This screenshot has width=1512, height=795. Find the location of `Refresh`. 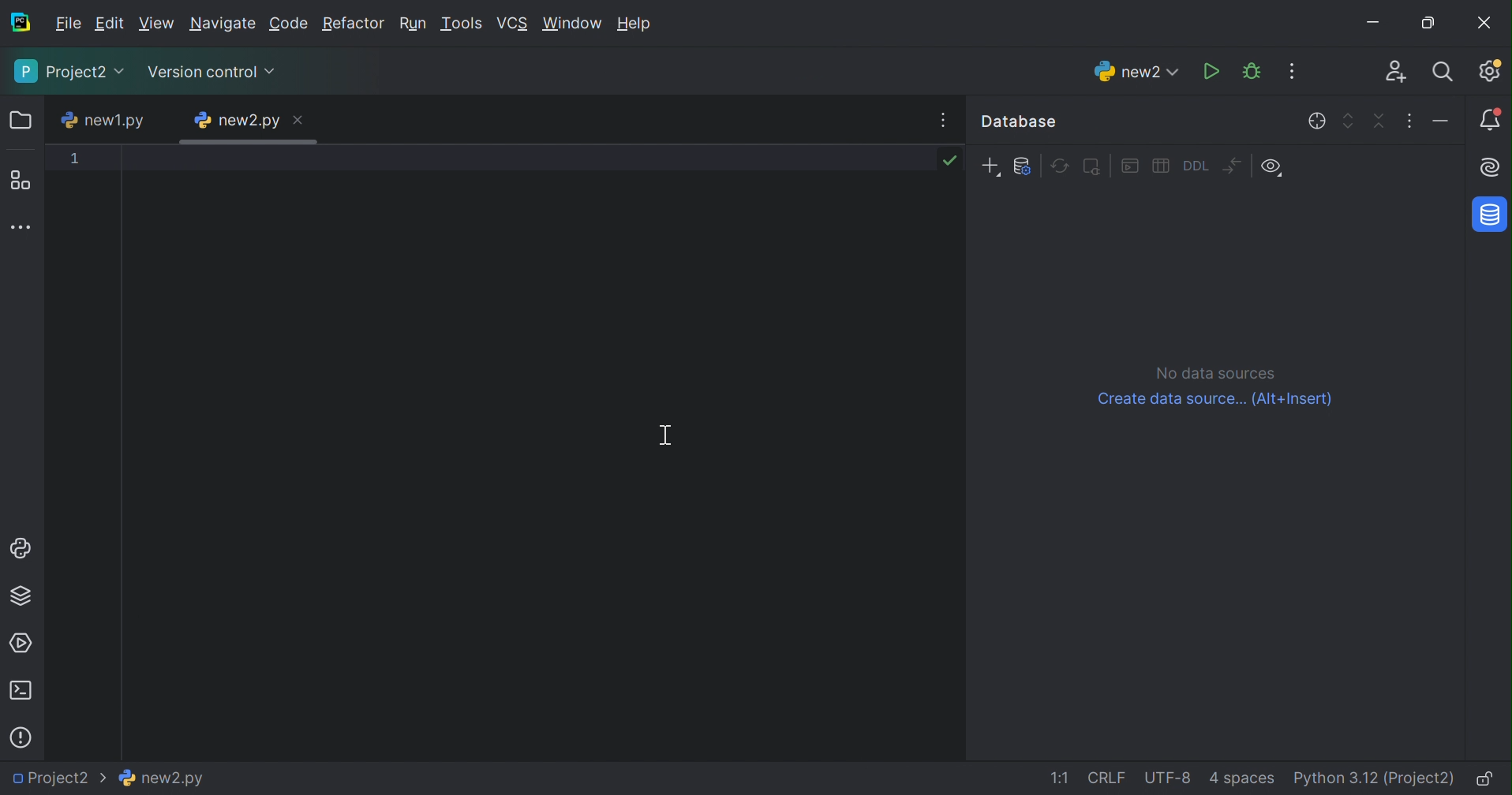

Refresh is located at coordinates (1058, 166).